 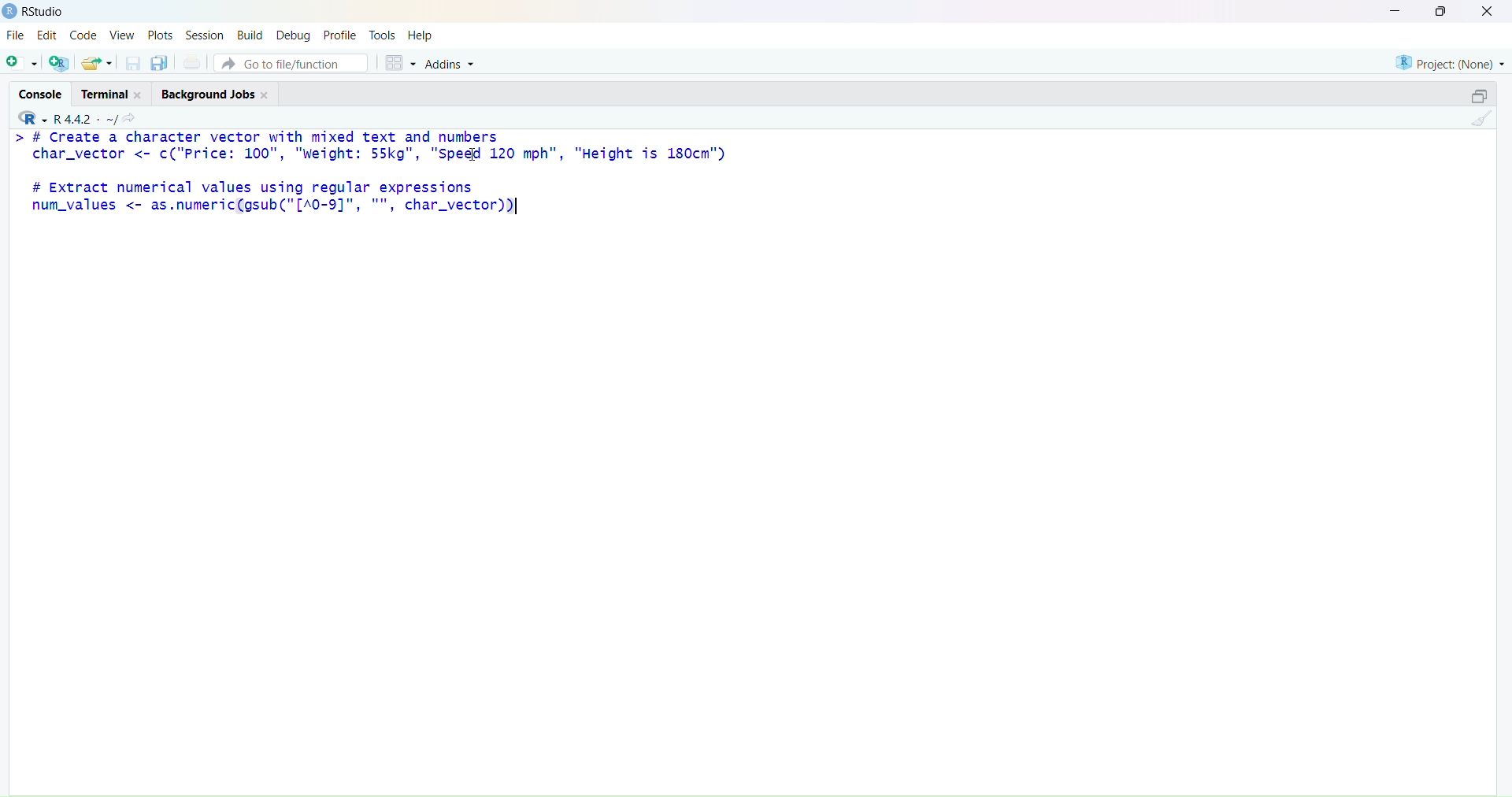 I want to click on Go to file/function, so click(x=292, y=63).